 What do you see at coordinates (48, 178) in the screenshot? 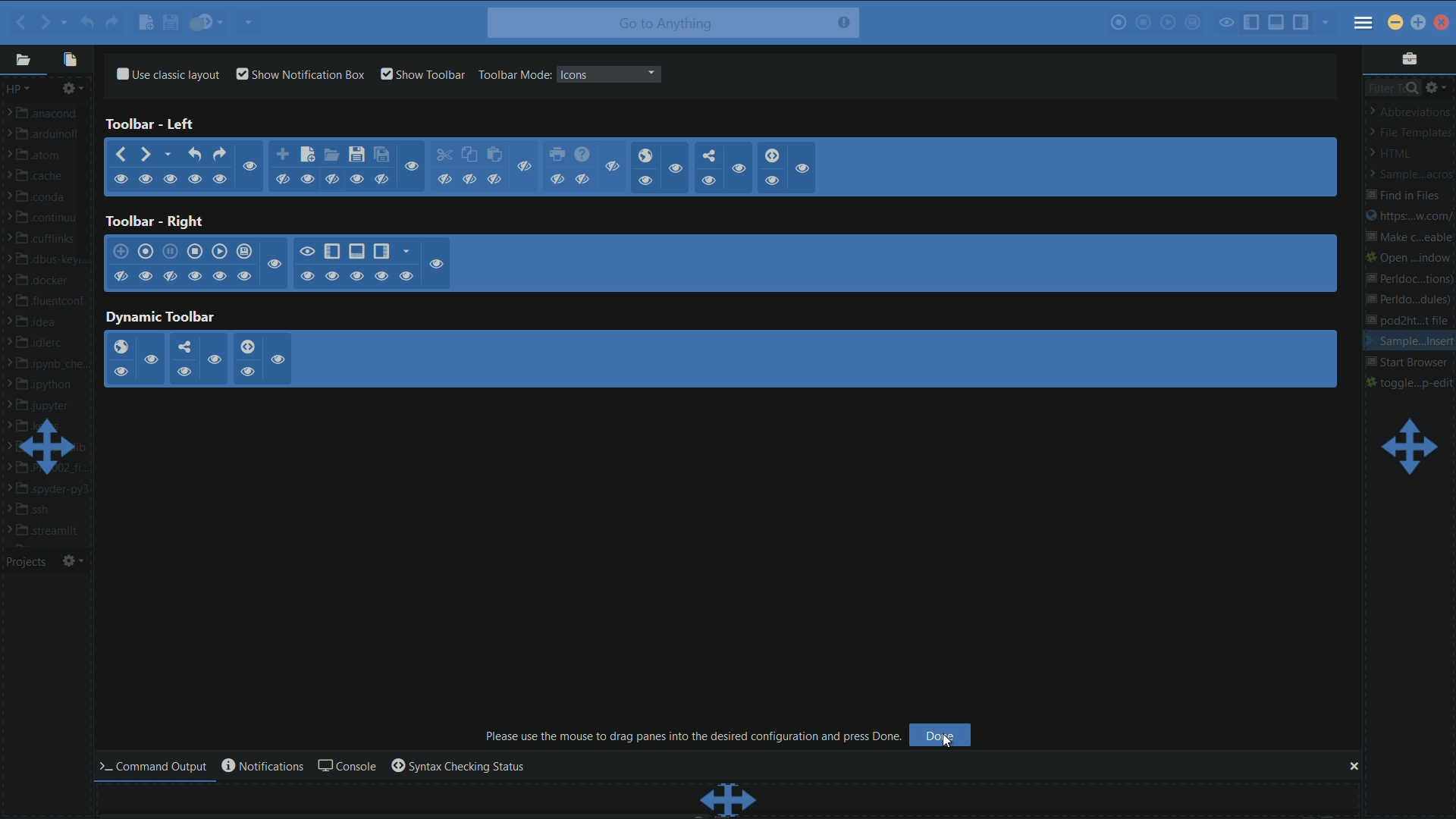
I see `.cache` at bounding box center [48, 178].